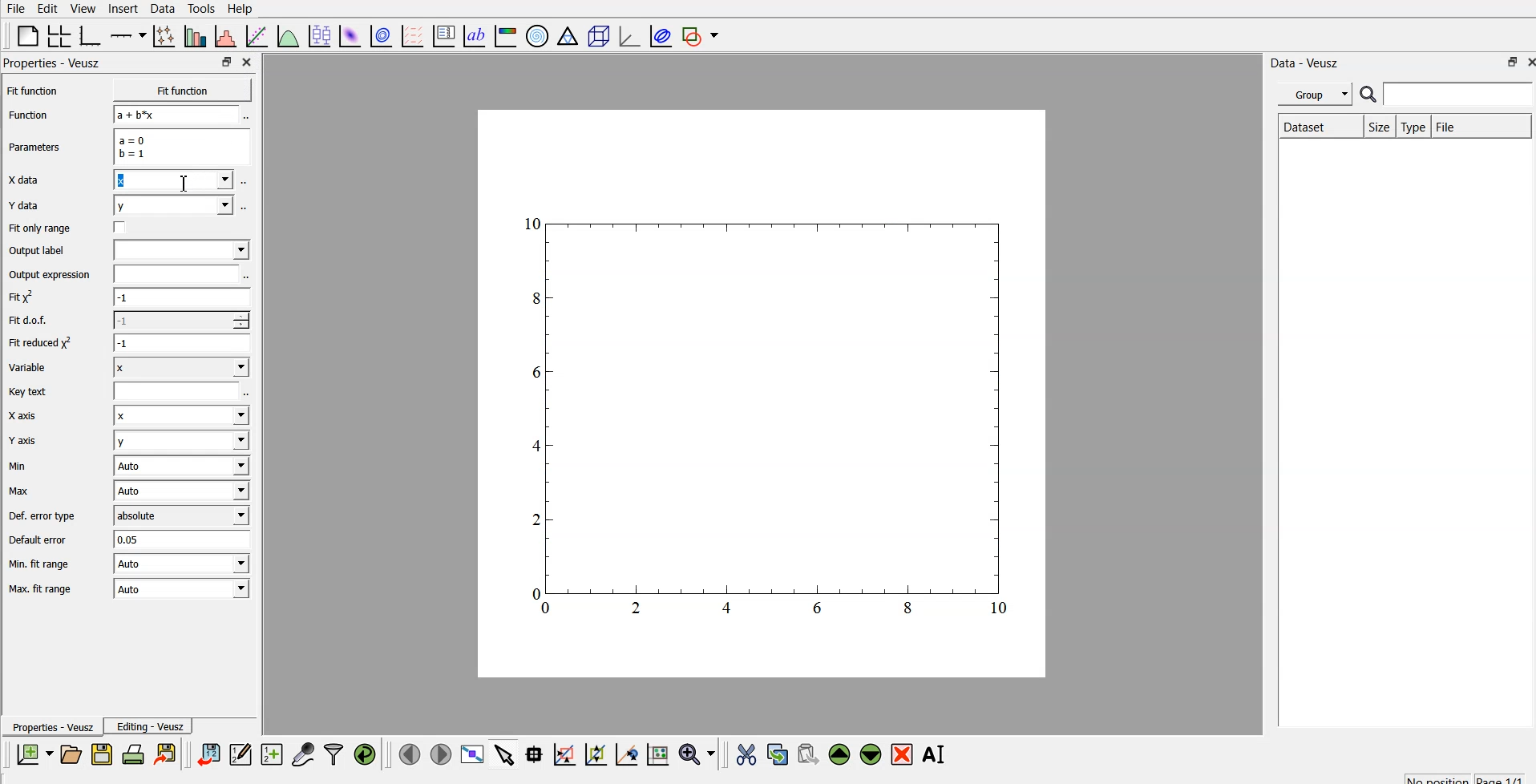 The height and width of the screenshot is (784, 1536). What do you see at coordinates (45, 8) in the screenshot?
I see `edit` at bounding box center [45, 8].